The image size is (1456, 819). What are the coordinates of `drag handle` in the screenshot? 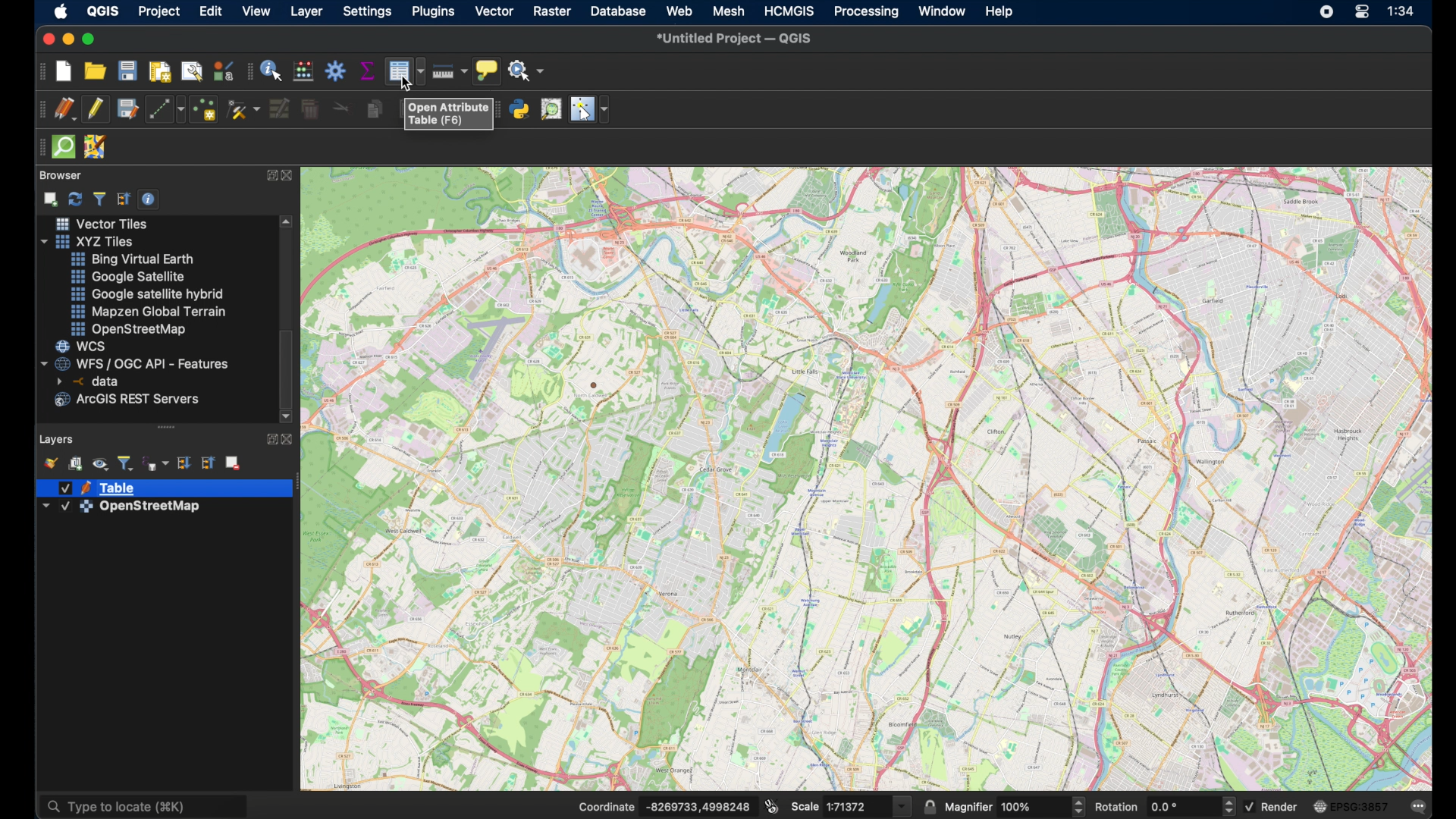 It's located at (247, 73).